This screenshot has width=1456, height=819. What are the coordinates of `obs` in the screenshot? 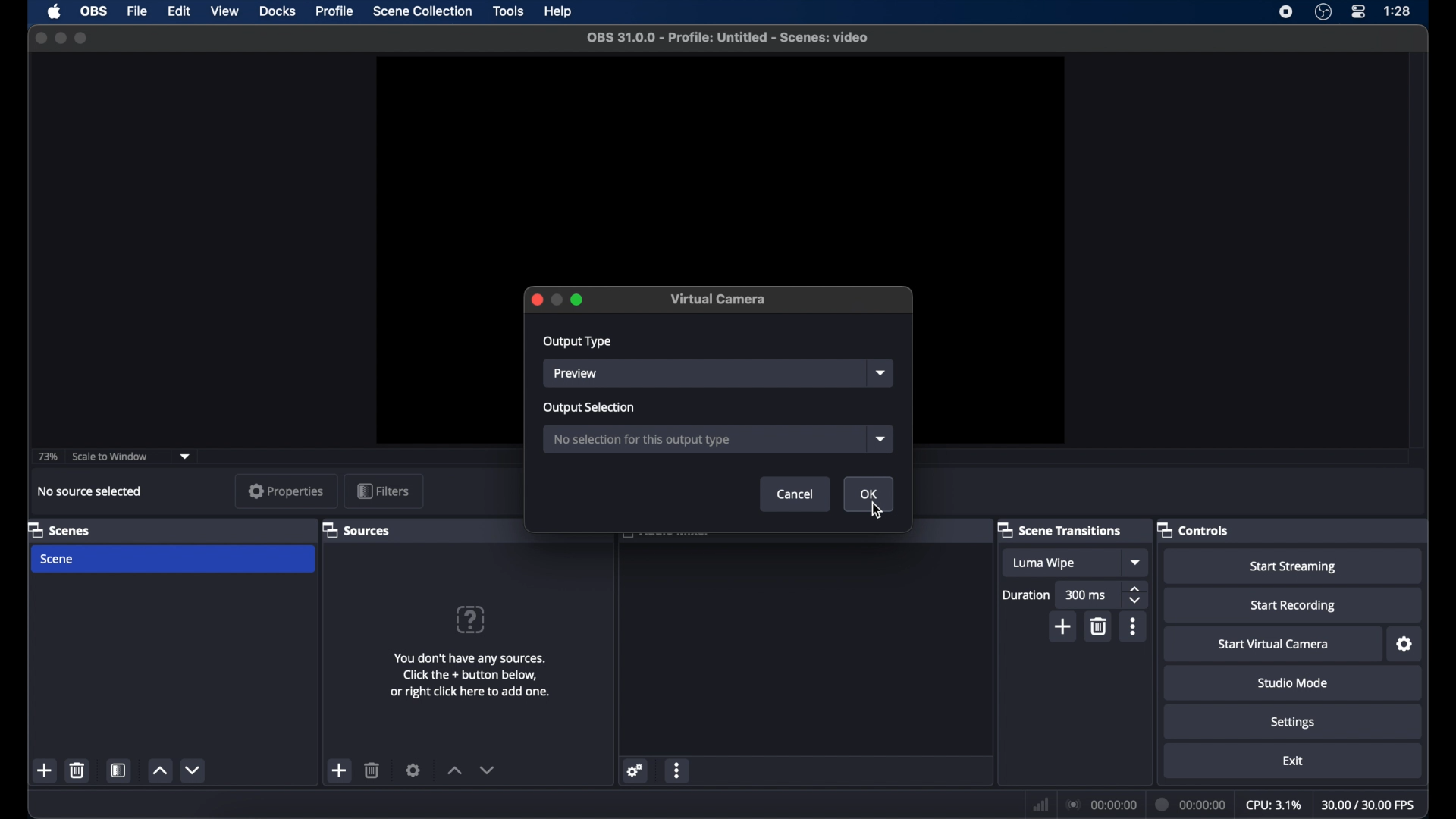 It's located at (93, 11).